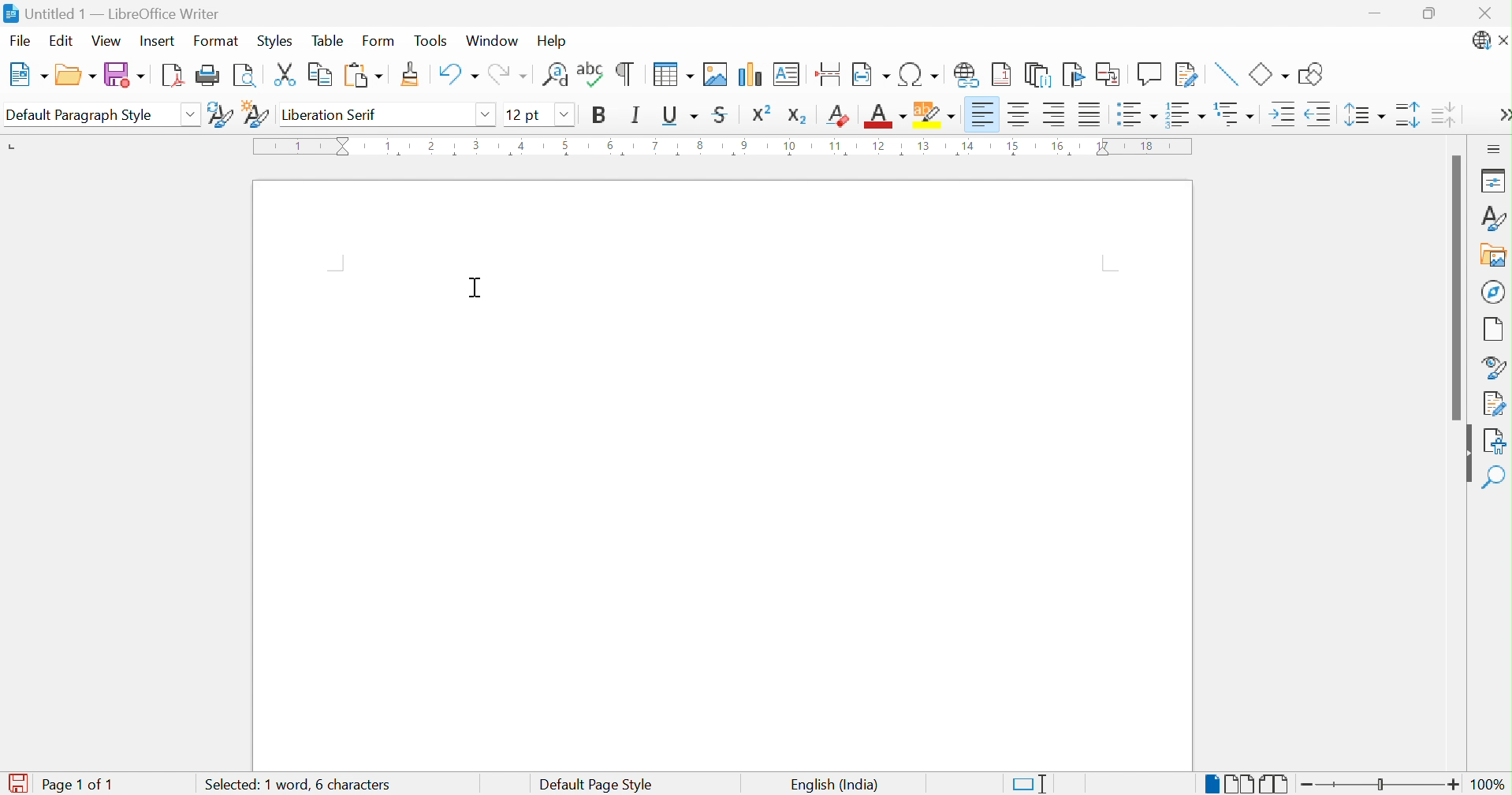 This screenshot has width=1512, height=795. What do you see at coordinates (1493, 787) in the screenshot?
I see `100%` at bounding box center [1493, 787].